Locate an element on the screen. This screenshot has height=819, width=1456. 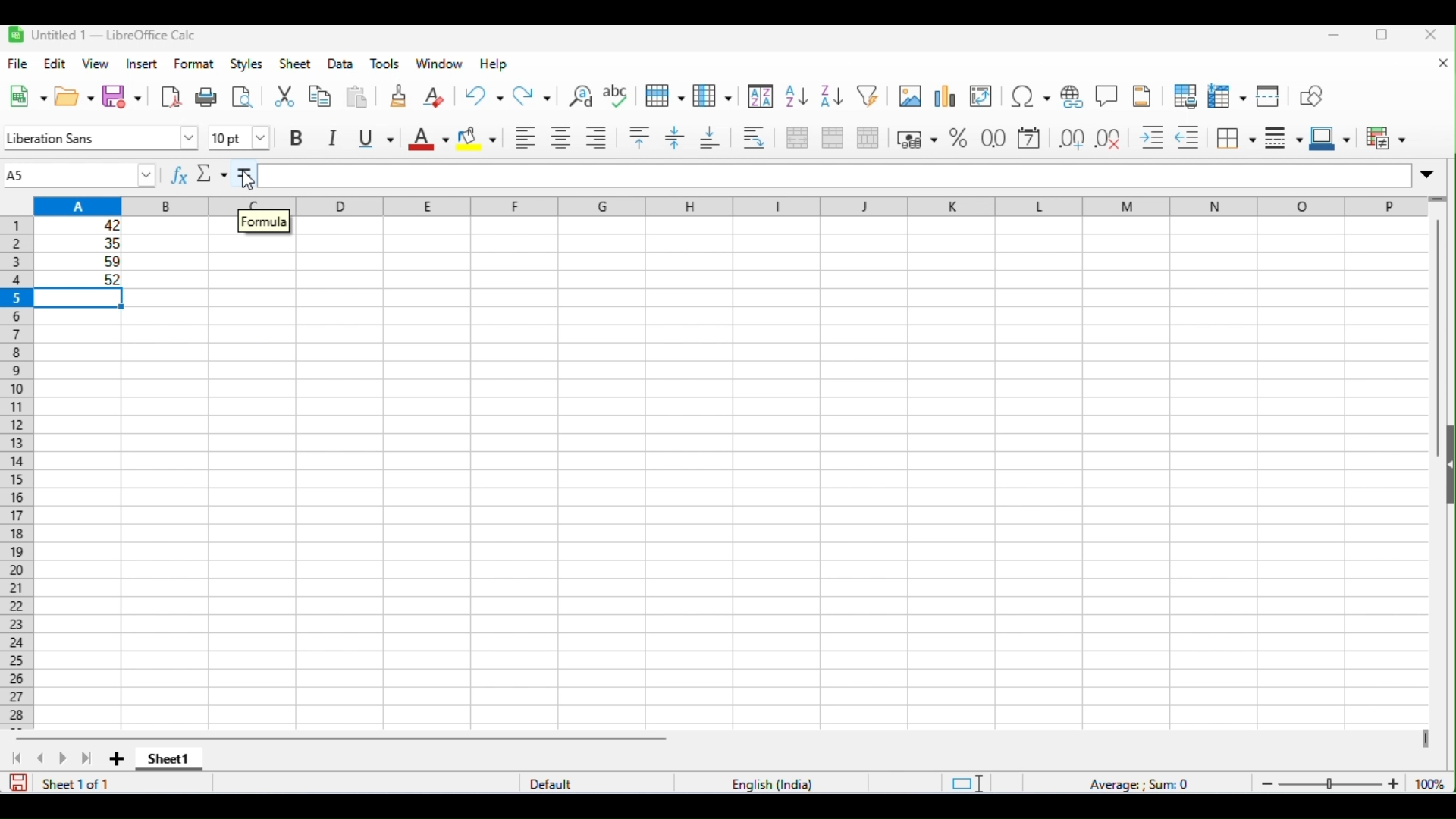
spelling is located at coordinates (617, 96).